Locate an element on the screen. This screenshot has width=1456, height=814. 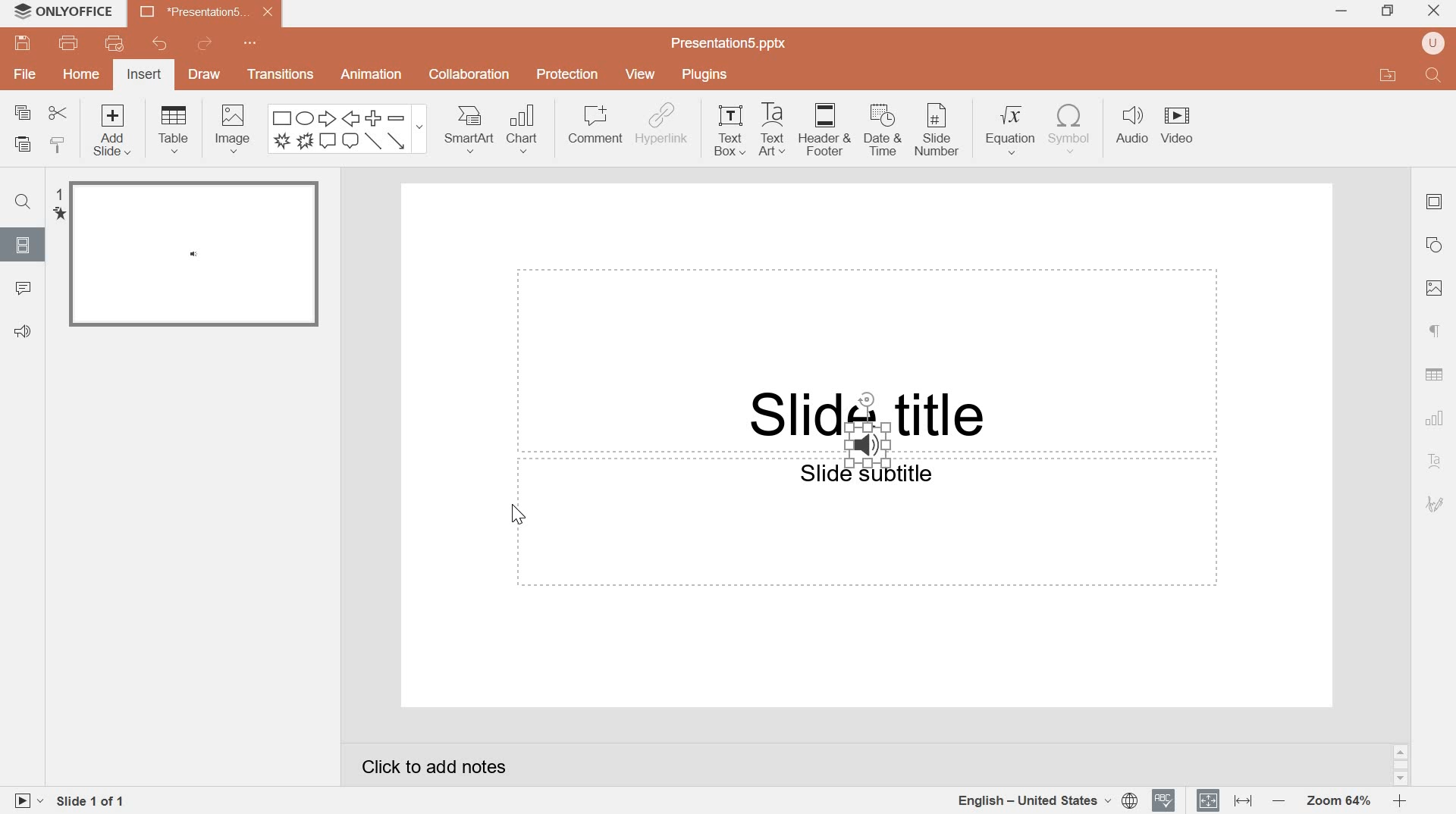
click to add notes is located at coordinates (435, 767).